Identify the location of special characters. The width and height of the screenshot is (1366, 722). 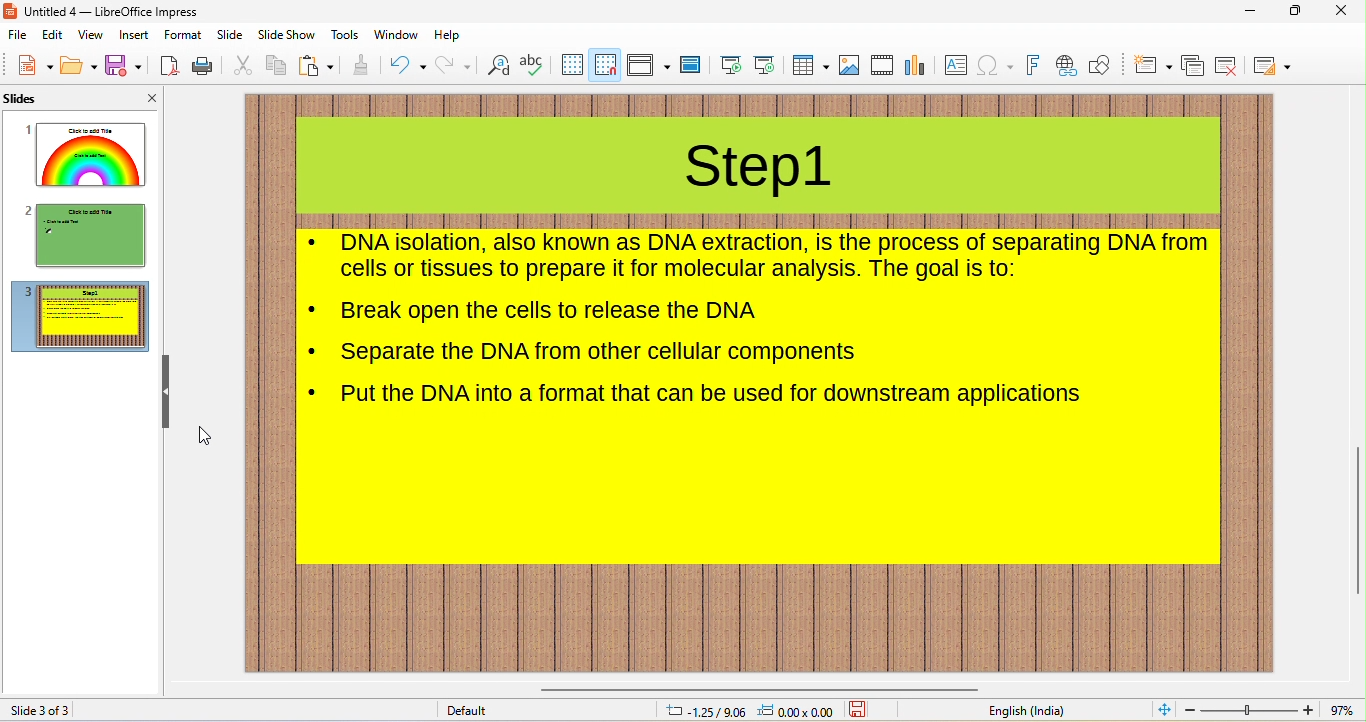
(995, 67).